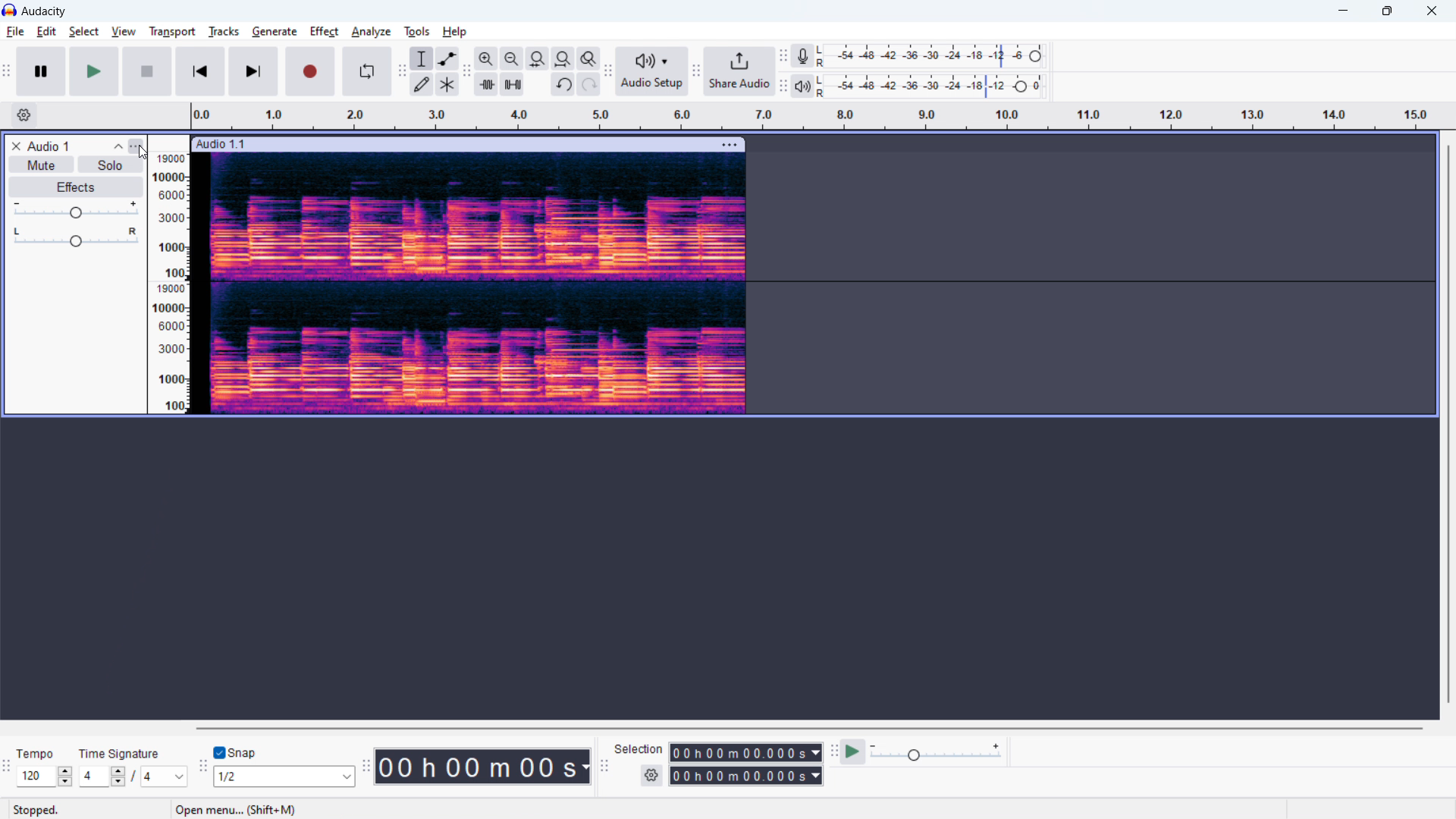 This screenshot has height=819, width=1456. Describe the element at coordinates (1342, 11) in the screenshot. I see `minimize` at that location.